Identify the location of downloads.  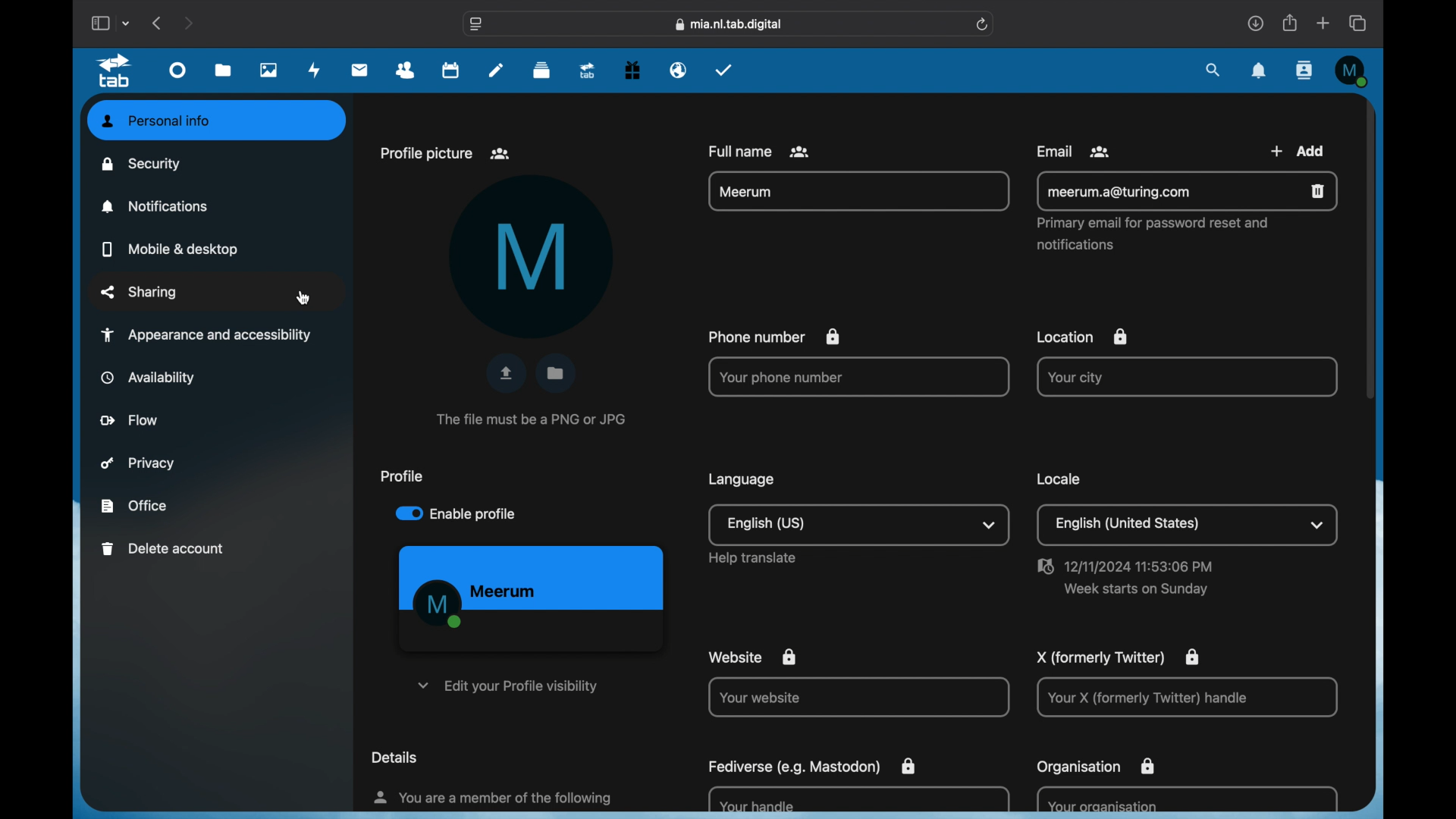
(1254, 23).